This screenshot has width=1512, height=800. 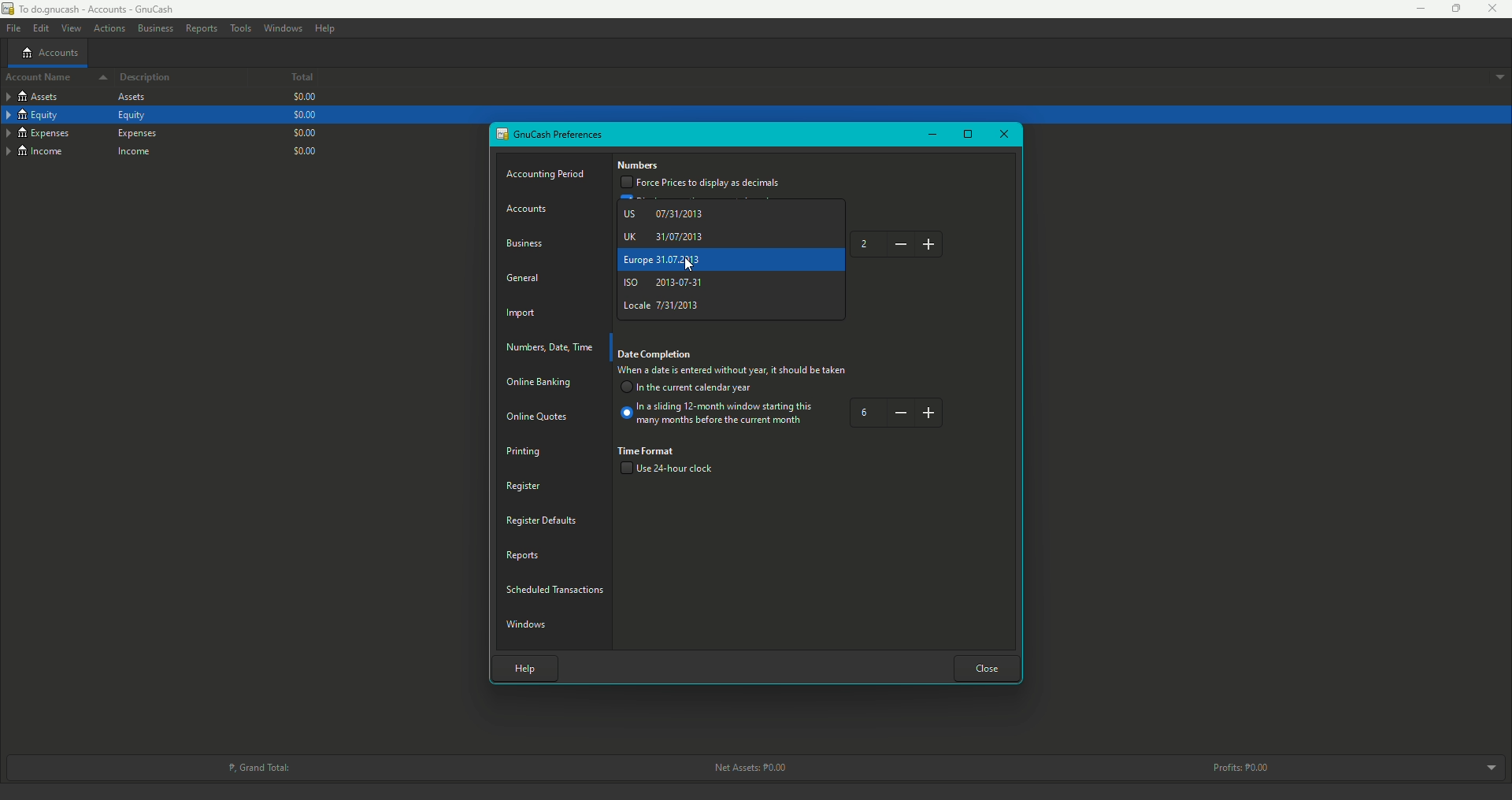 I want to click on Account name, so click(x=52, y=79).